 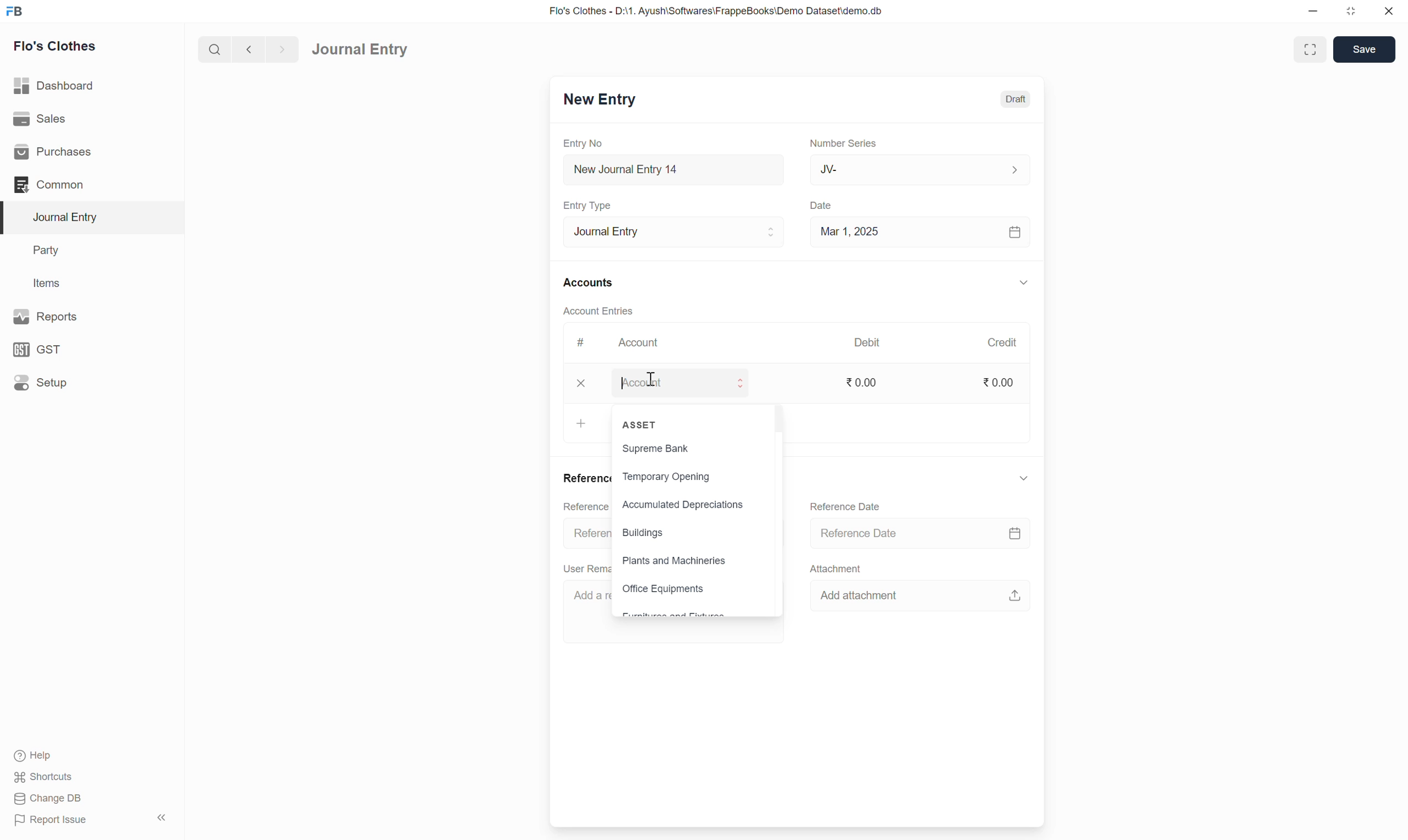 I want to click on Purchases, so click(x=56, y=152).